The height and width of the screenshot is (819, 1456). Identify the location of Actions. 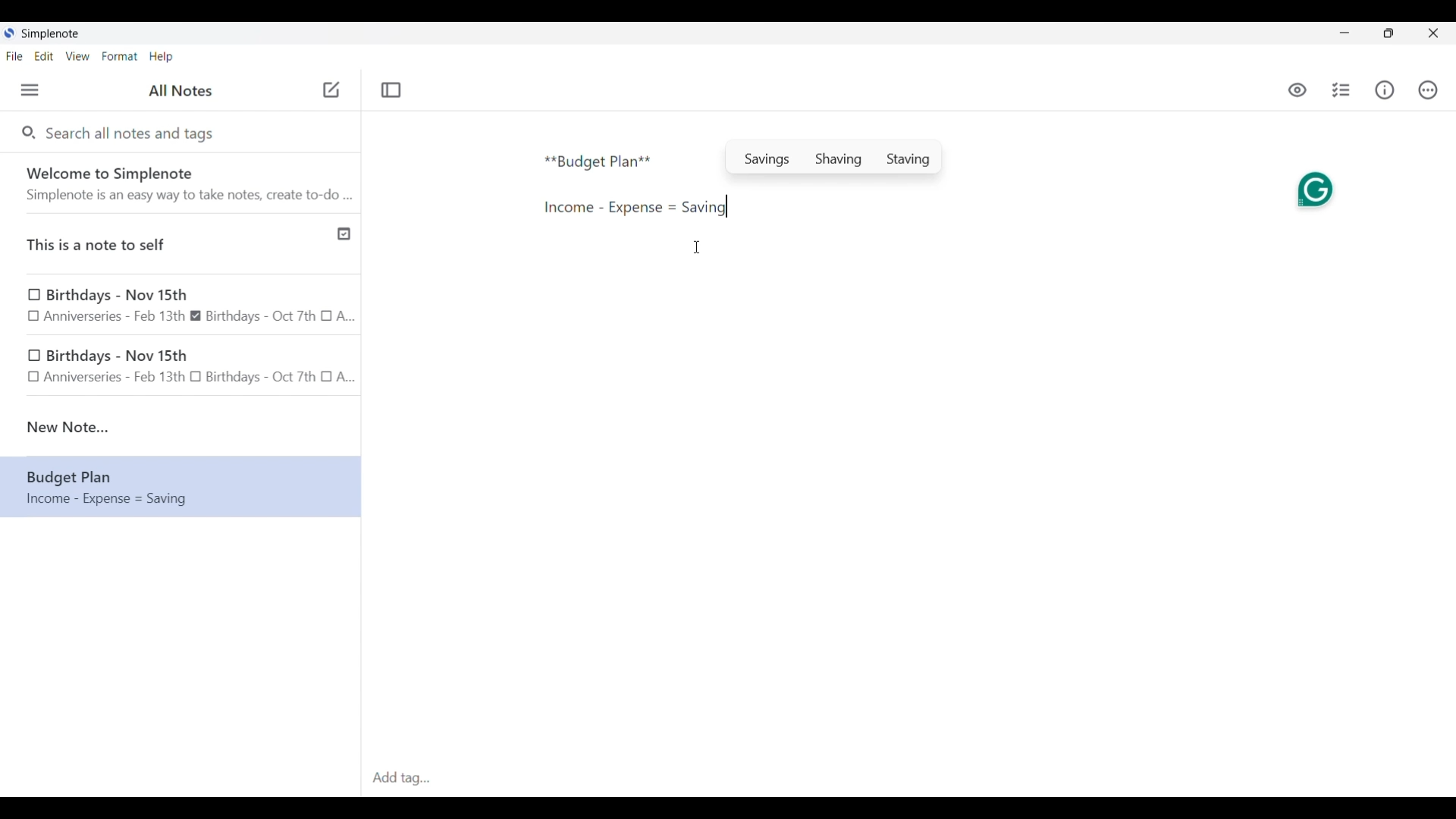
(1427, 90).